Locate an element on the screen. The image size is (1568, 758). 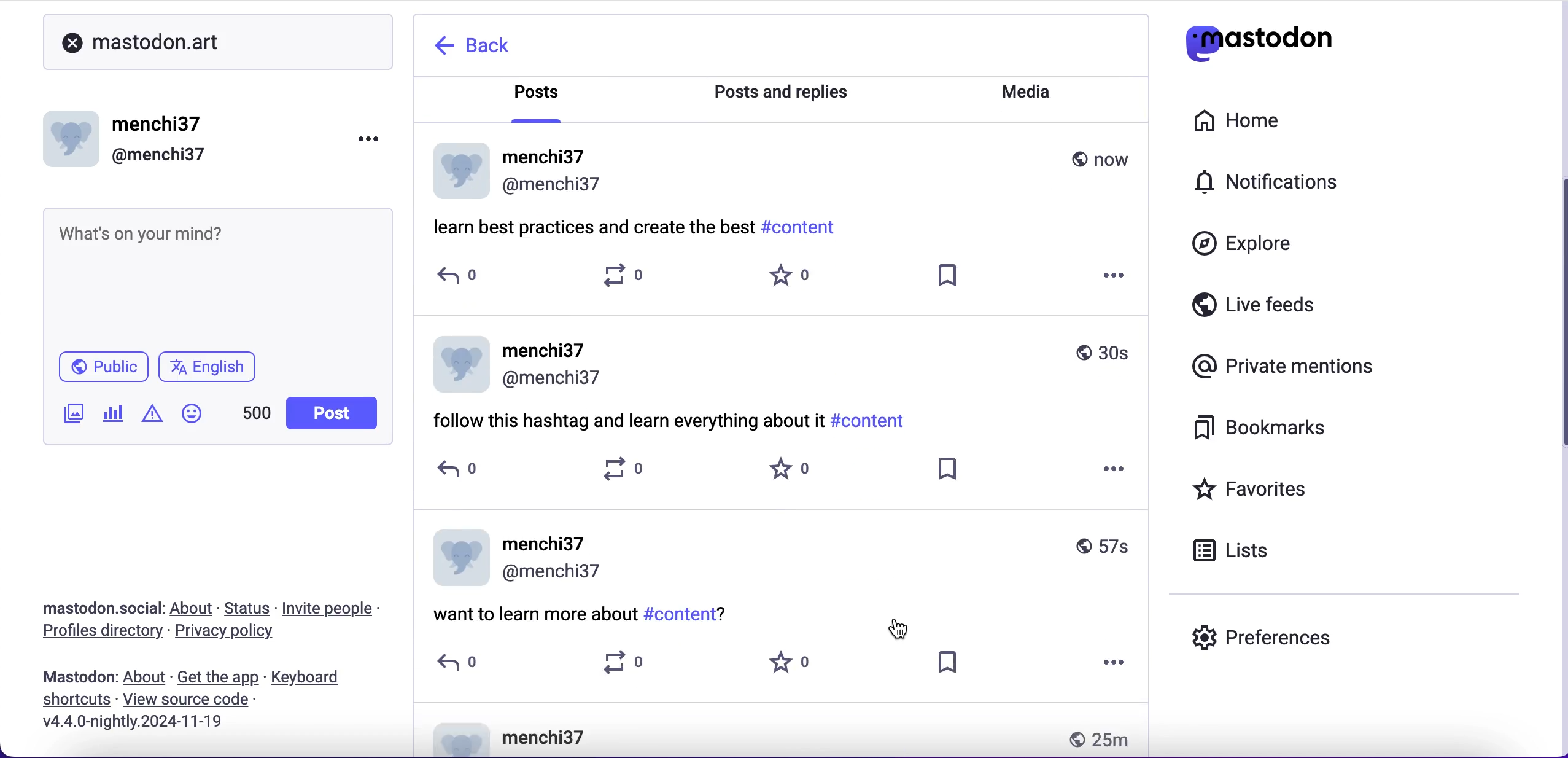
save is located at coordinates (943, 276).